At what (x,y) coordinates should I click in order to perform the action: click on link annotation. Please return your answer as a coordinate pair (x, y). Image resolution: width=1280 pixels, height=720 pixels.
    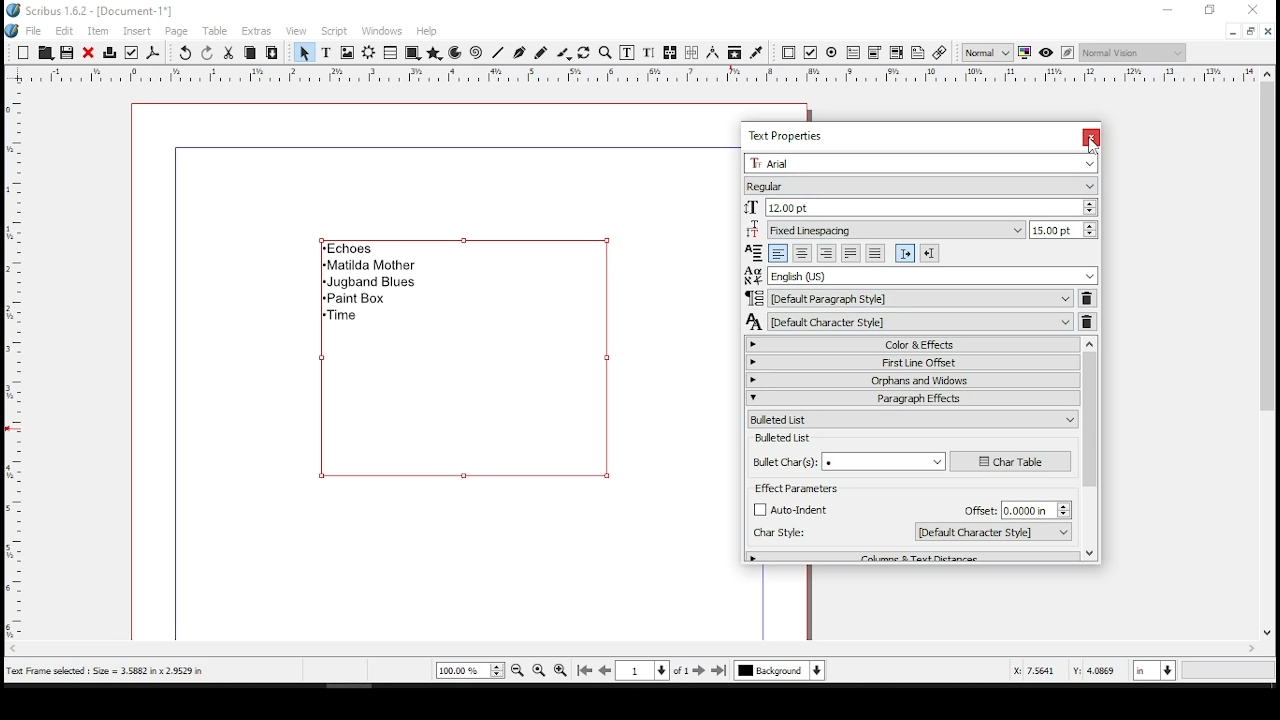
    Looking at the image, I should click on (940, 53).